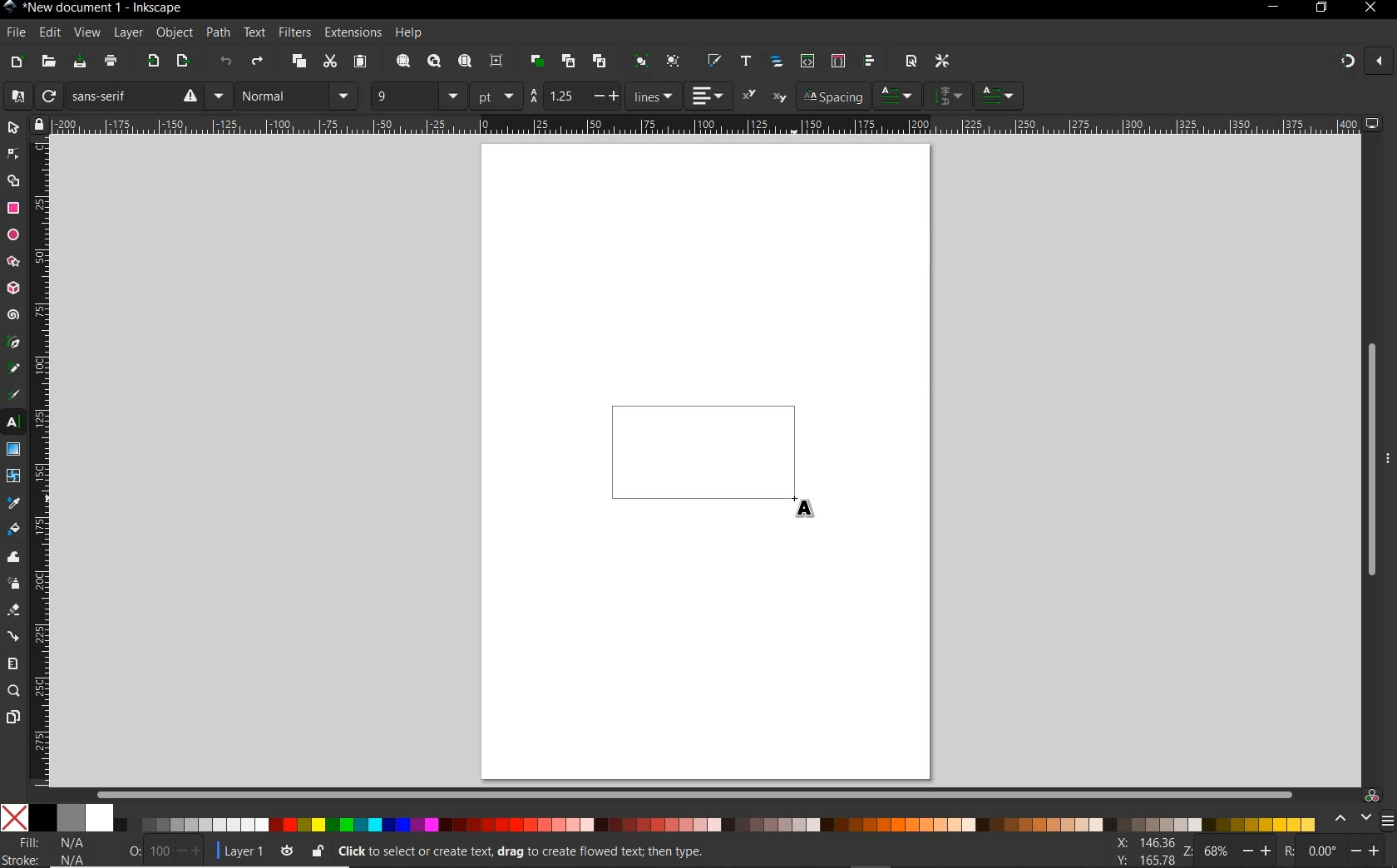 The width and height of the screenshot is (1397, 868). Describe the element at coordinates (837, 61) in the screenshot. I see `open selectors` at that location.